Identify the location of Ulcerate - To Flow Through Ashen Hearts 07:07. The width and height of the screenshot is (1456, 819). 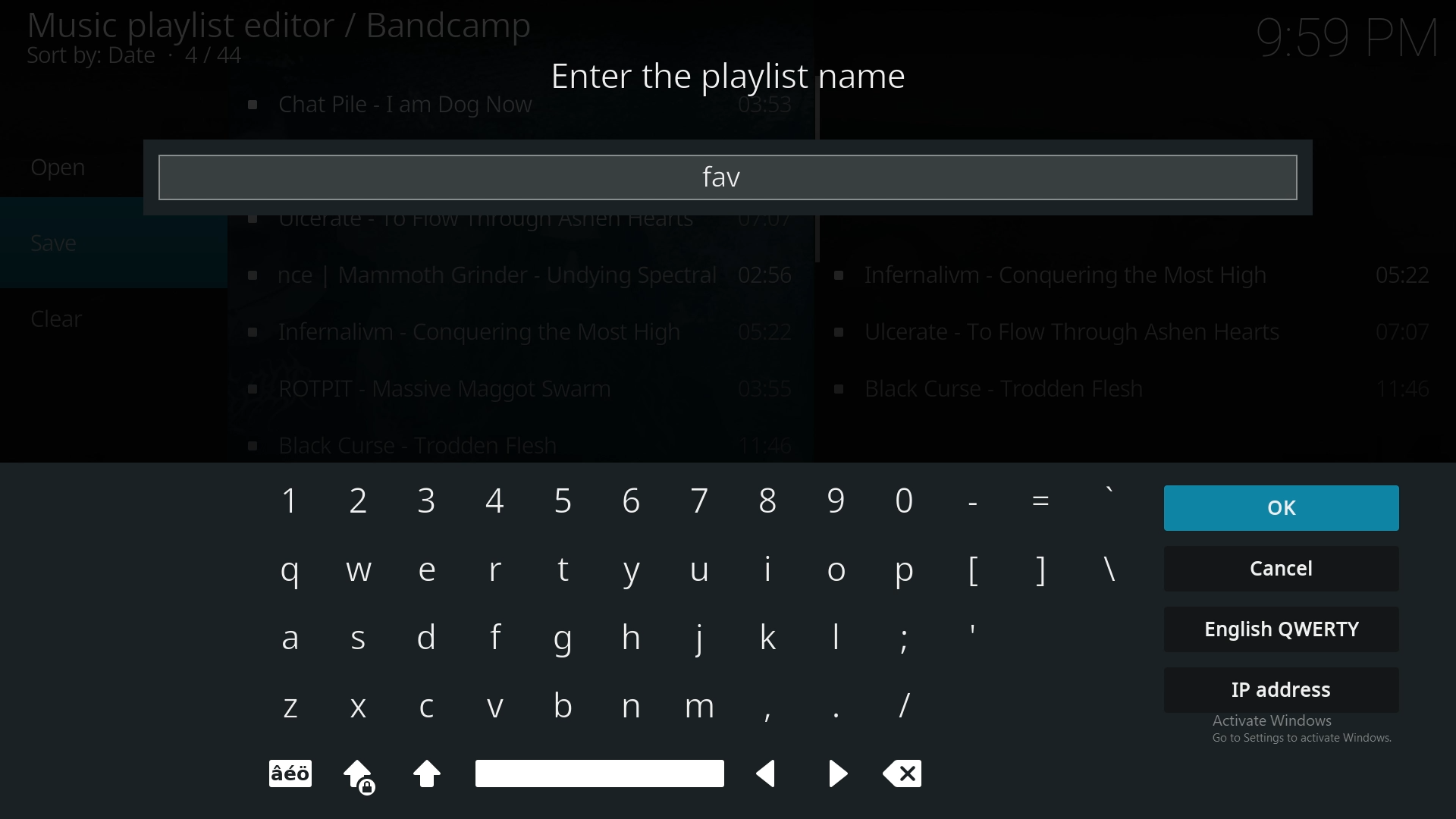
(1137, 391).